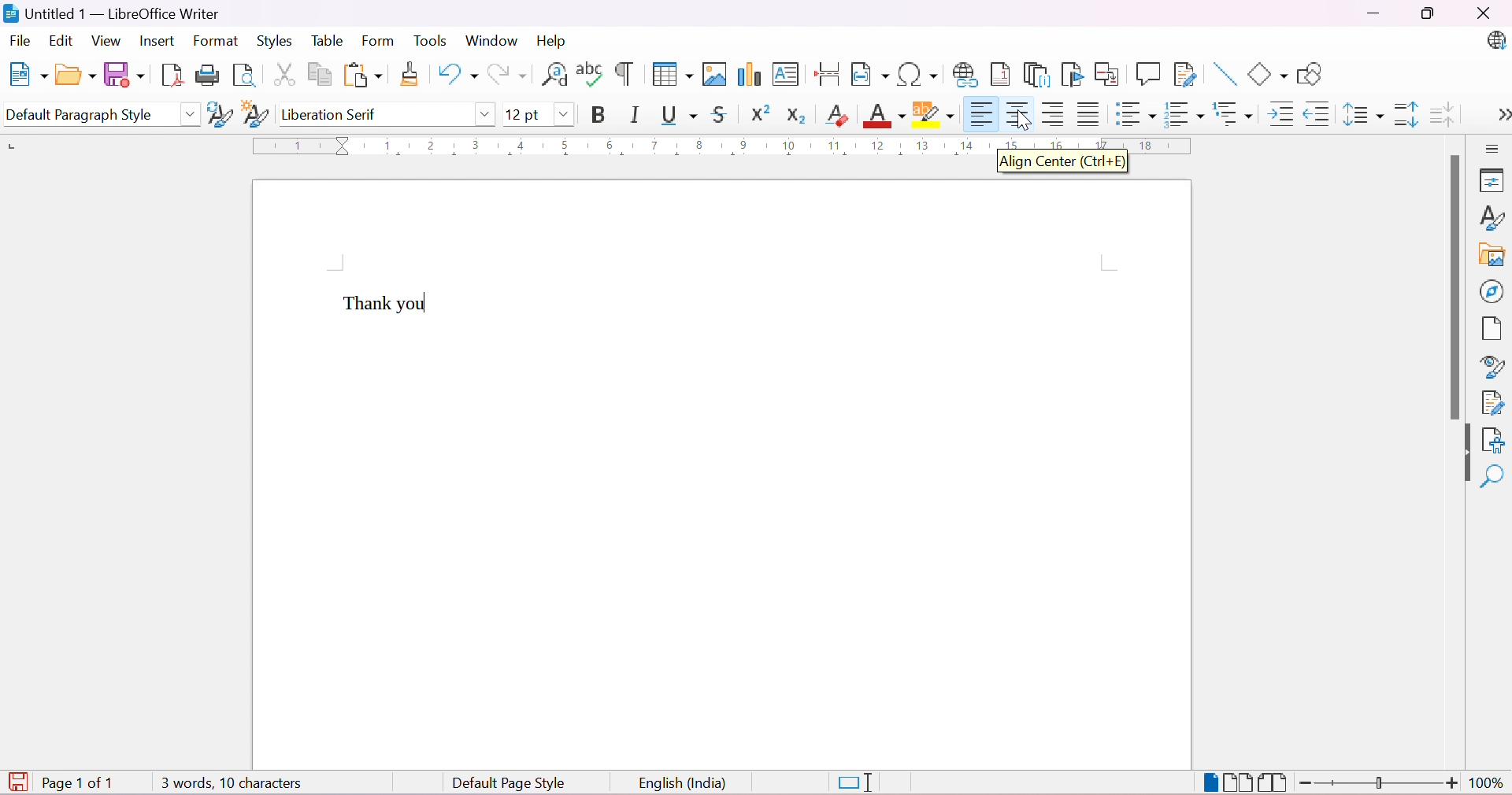 The width and height of the screenshot is (1512, 795). What do you see at coordinates (1496, 149) in the screenshot?
I see `Sidebar Settings` at bounding box center [1496, 149].